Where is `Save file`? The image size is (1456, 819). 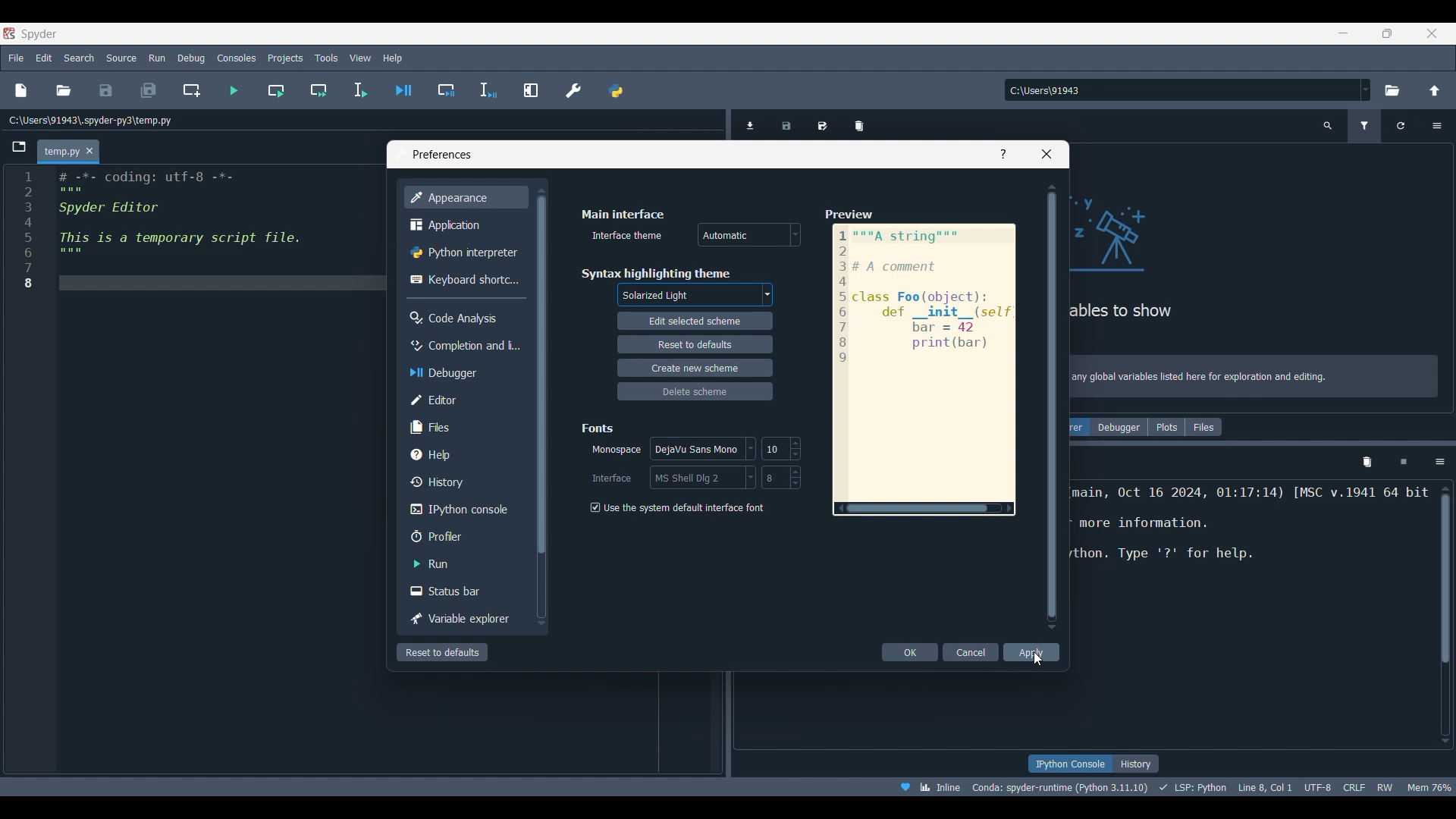 Save file is located at coordinates (107, 90).